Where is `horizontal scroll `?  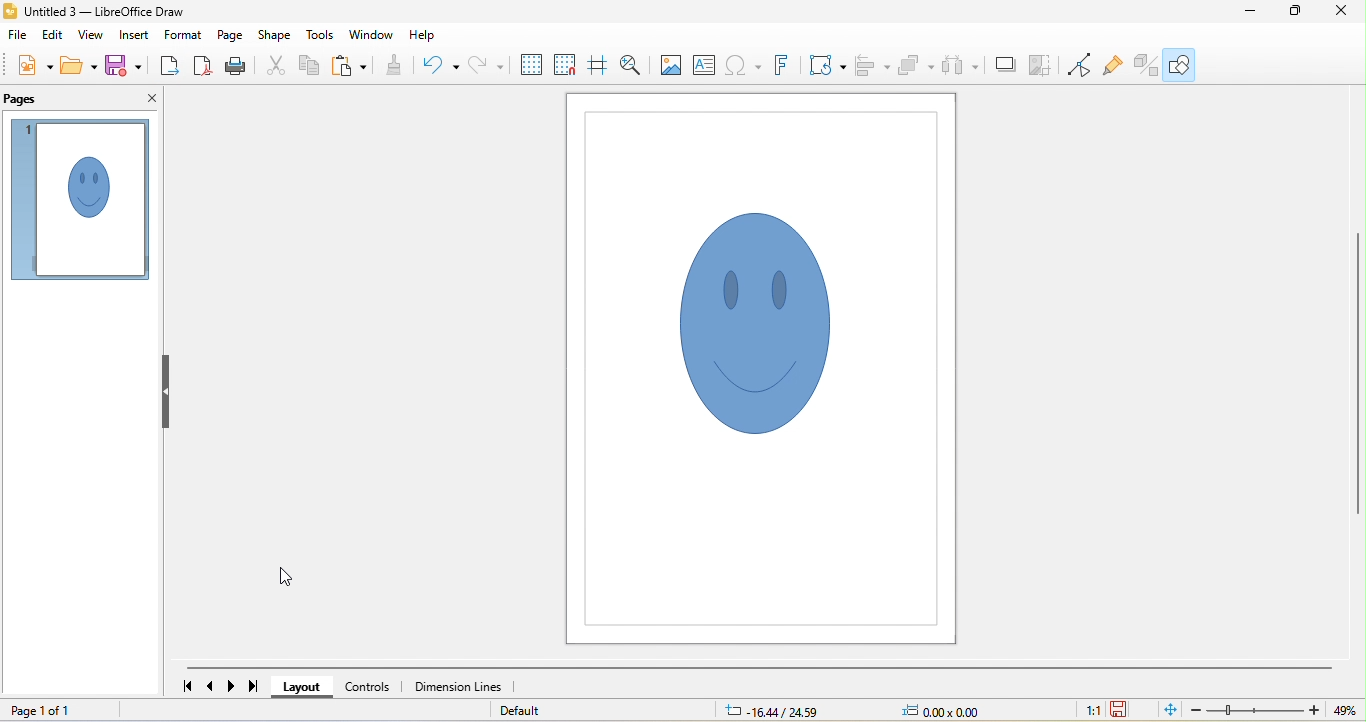 horizontal scroll  is located at coordinates (762, 666).